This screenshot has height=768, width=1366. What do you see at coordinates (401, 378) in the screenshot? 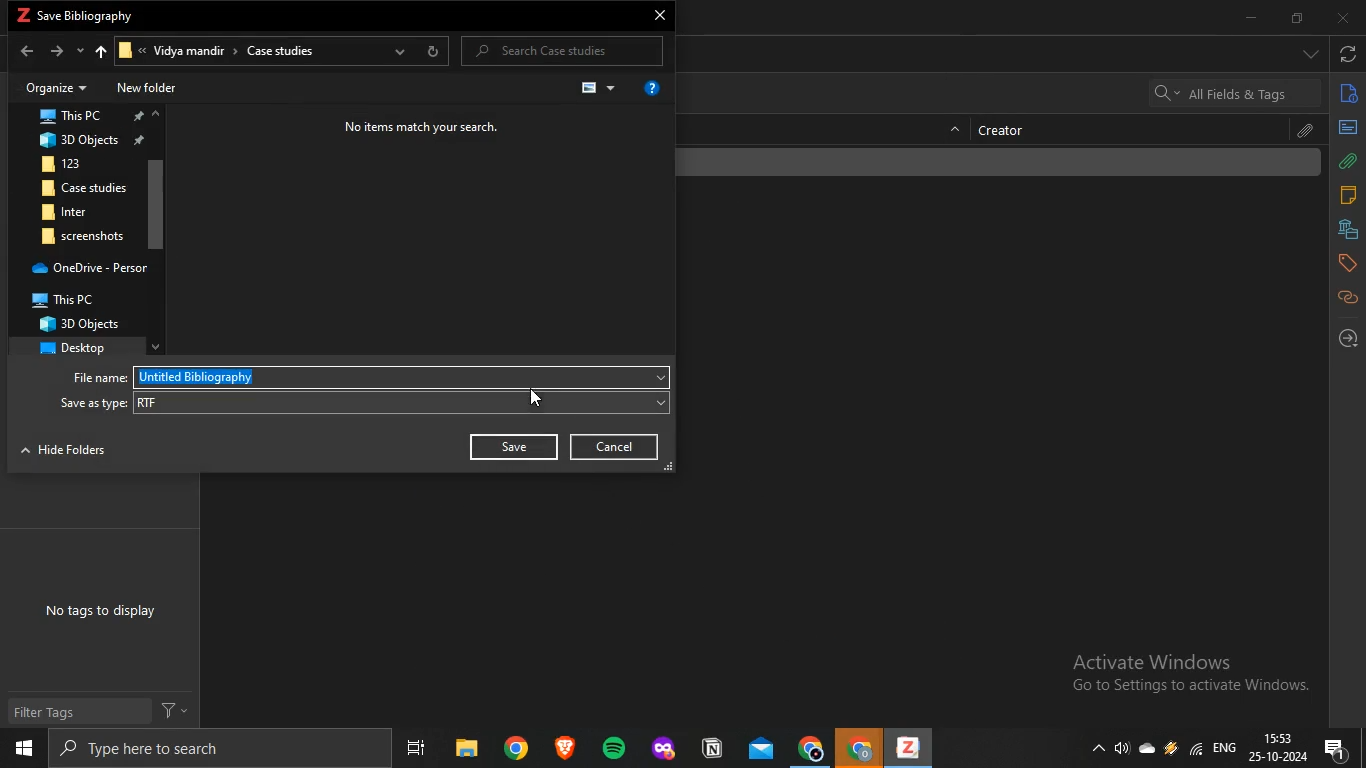
I see `Untitled Bibliography` at bounding box center [401, 378].